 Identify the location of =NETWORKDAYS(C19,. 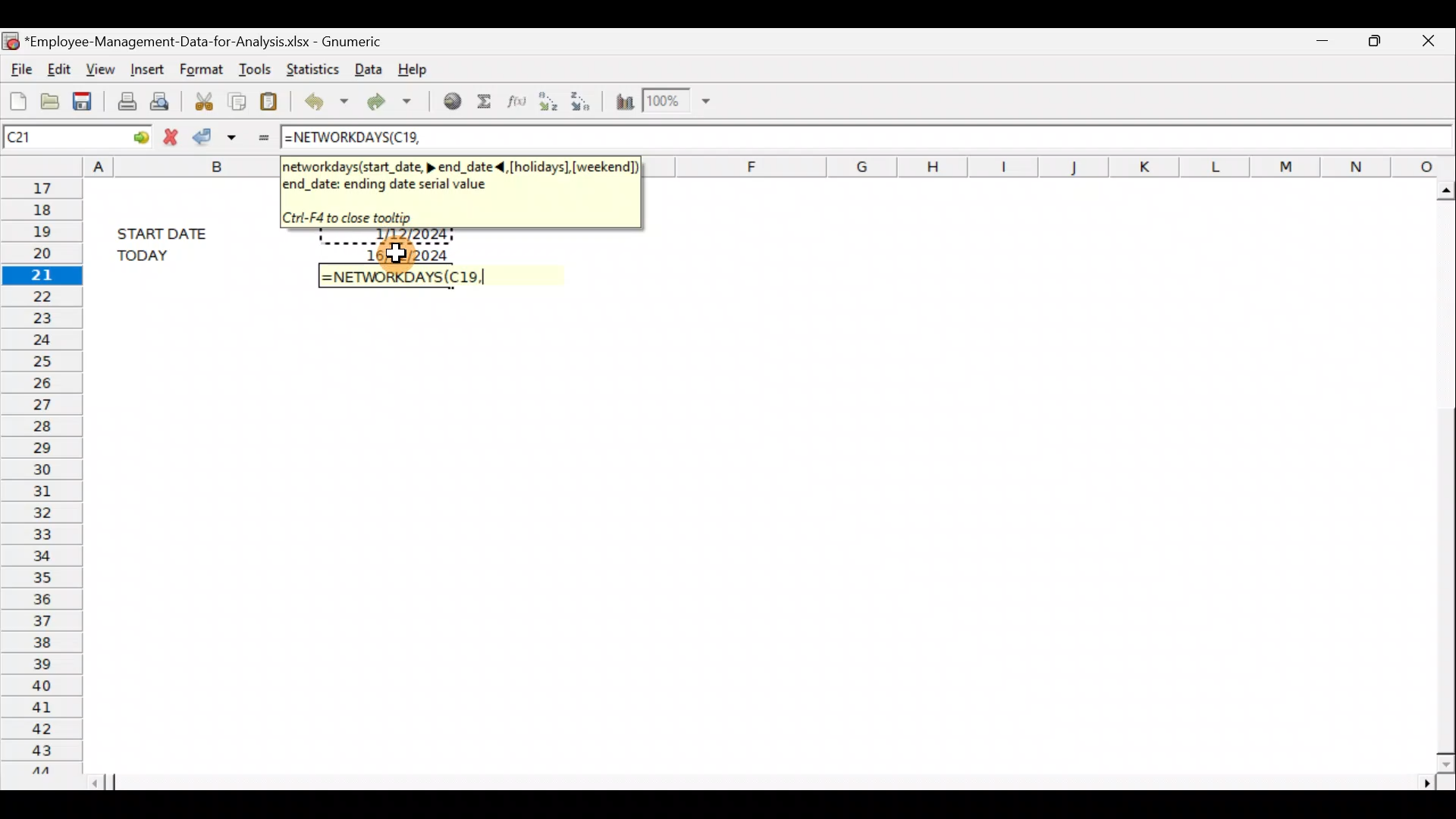
(401, 278).